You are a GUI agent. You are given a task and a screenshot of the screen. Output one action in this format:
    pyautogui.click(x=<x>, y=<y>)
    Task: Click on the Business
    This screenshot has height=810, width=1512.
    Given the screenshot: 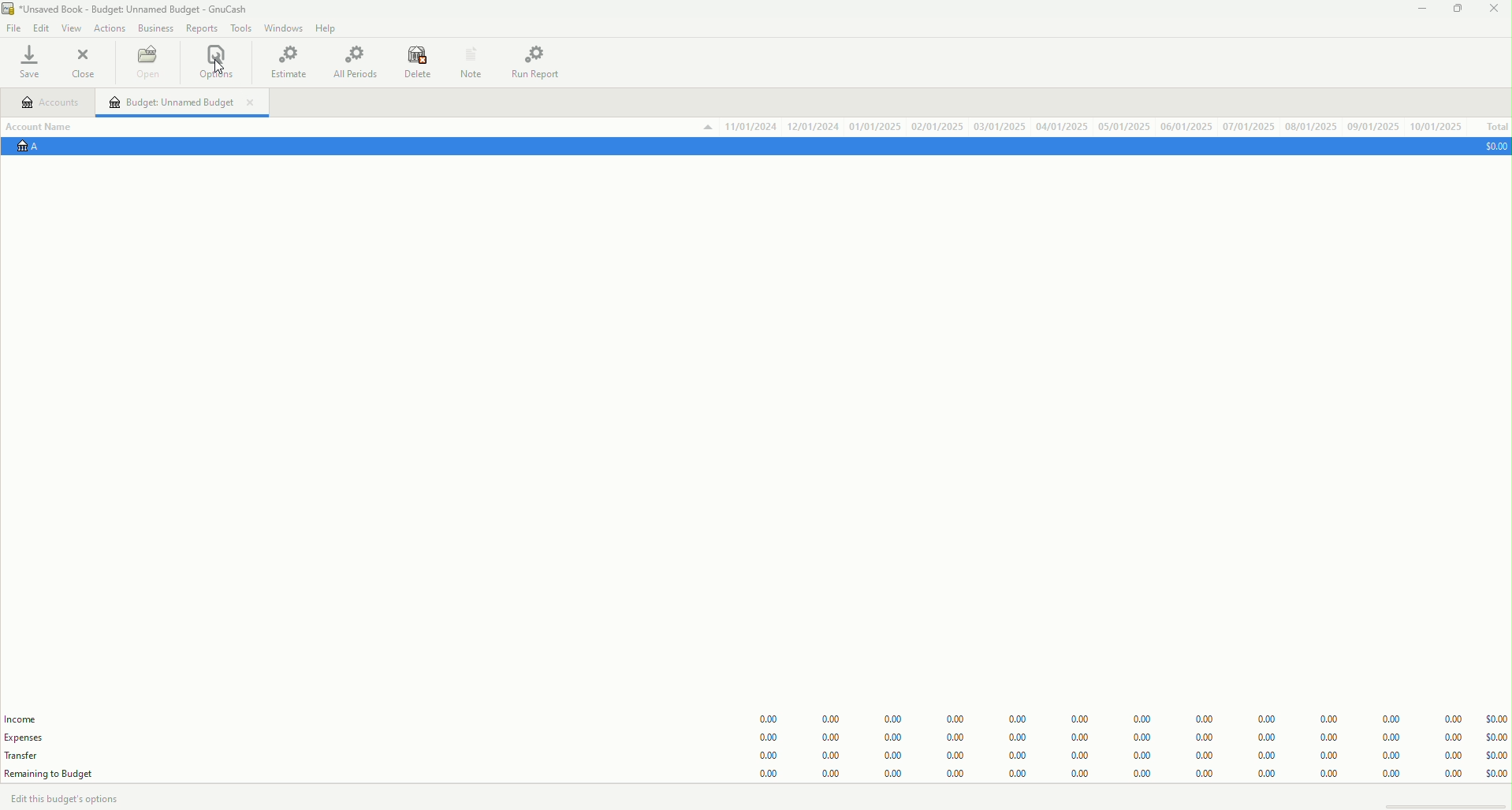 What is the action you would take?
    pyautogui.click(x=156, y=28)
    